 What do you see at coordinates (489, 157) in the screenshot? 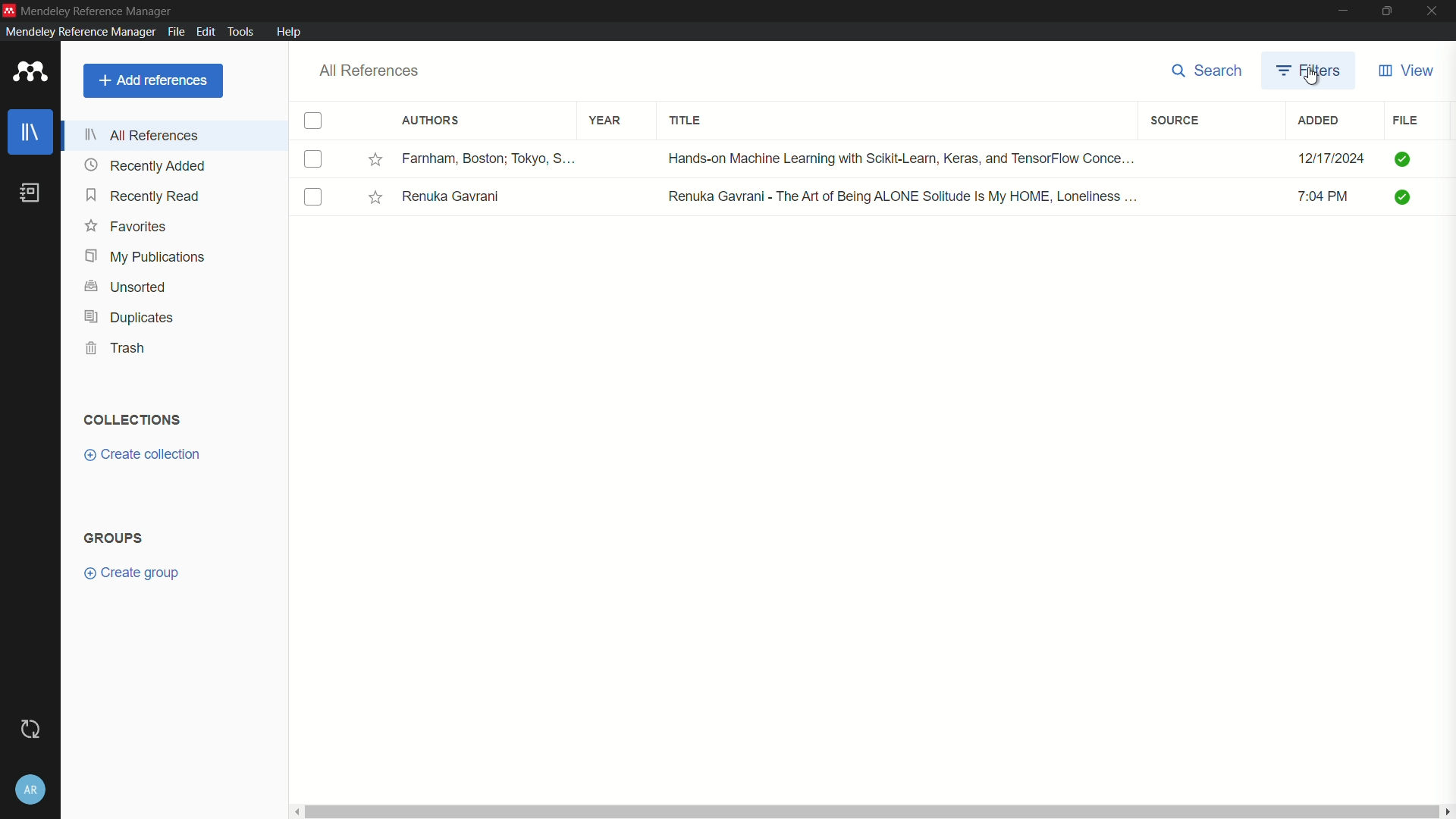
I see `Farnham, Boston; Tokyo, S...` at bounding box center [489, 157].